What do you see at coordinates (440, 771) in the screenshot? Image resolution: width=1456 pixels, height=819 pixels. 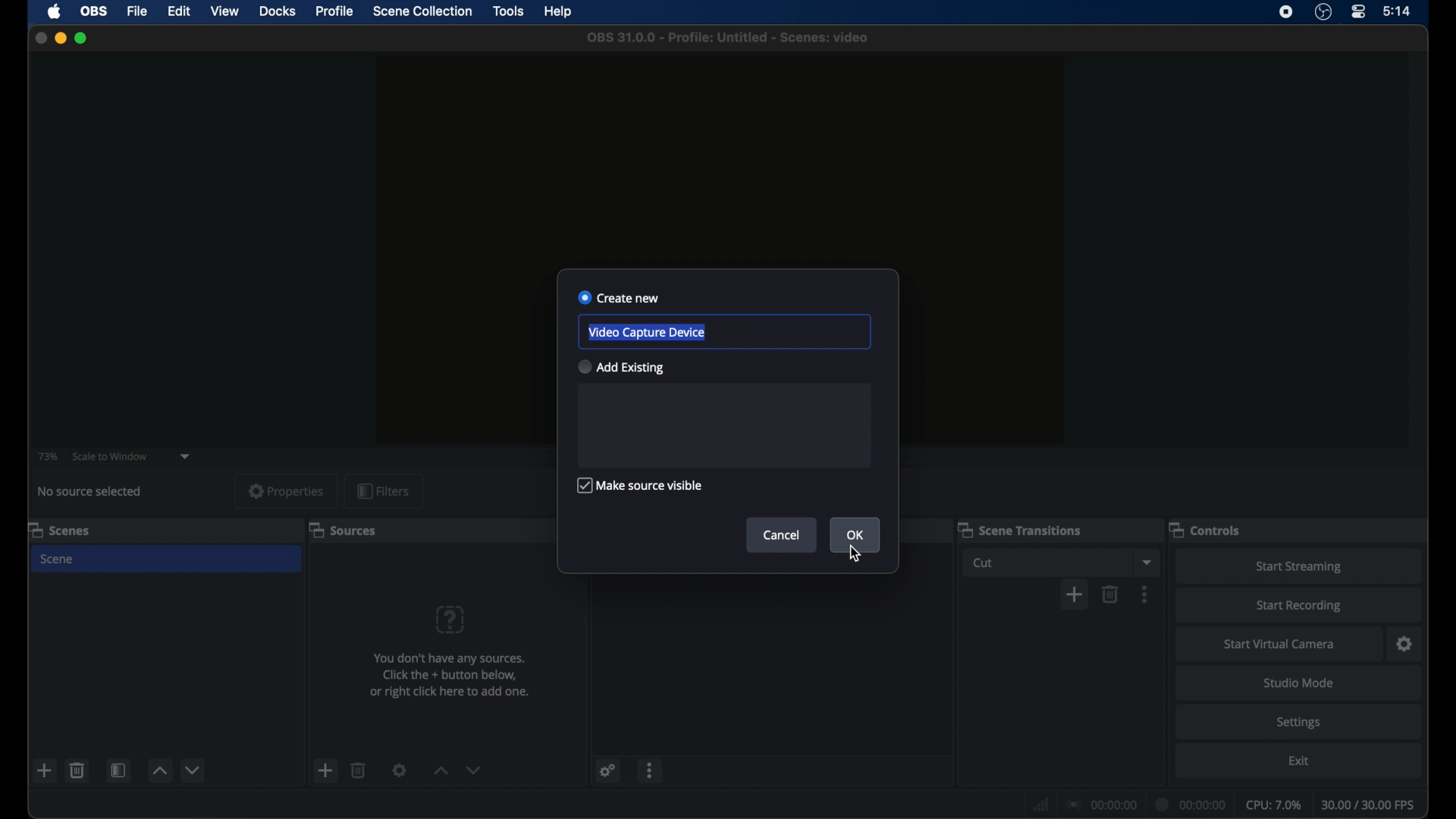 I see `increment` at bounding box center [440, 771].